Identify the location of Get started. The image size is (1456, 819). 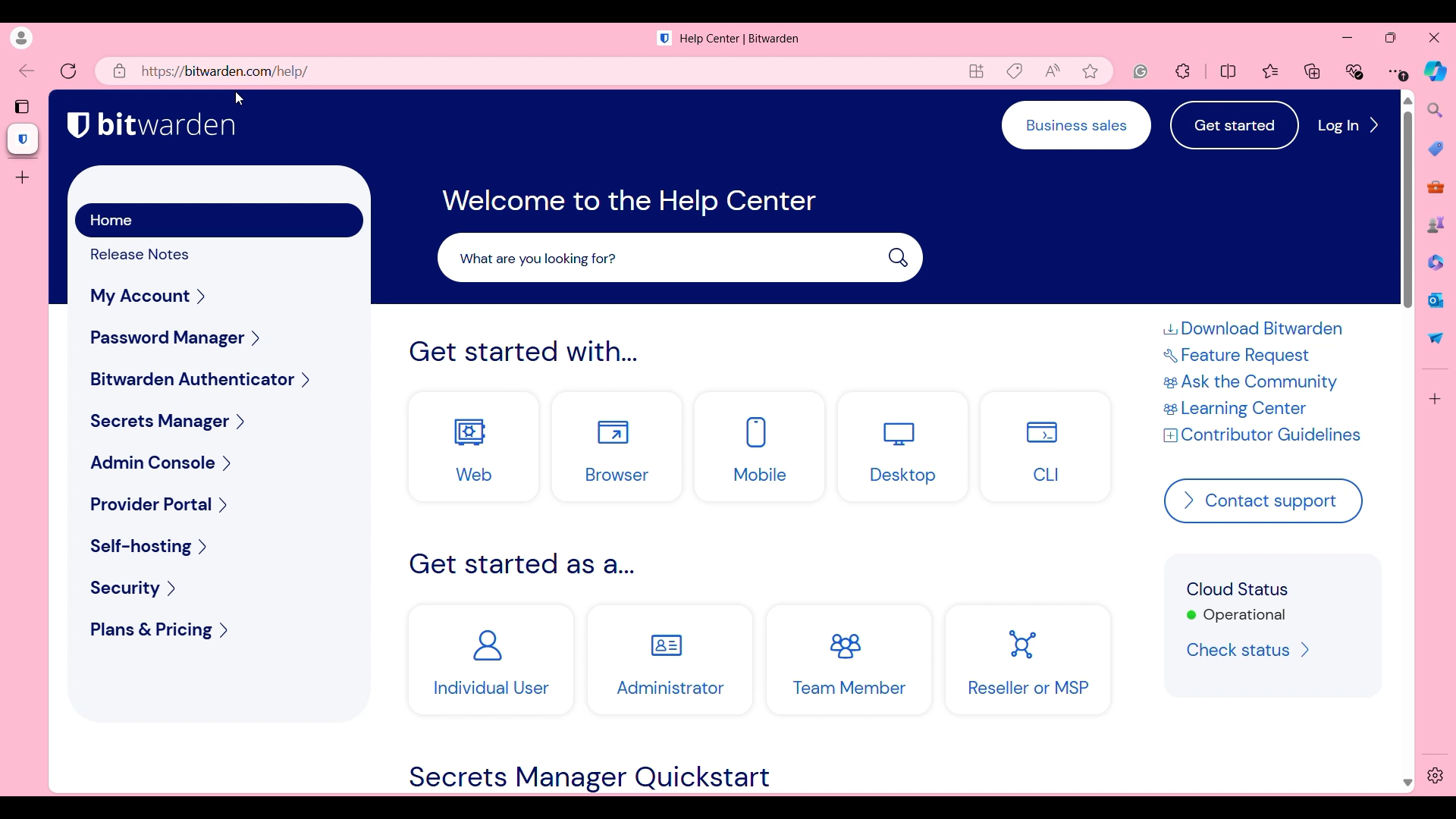
(1234, 124).